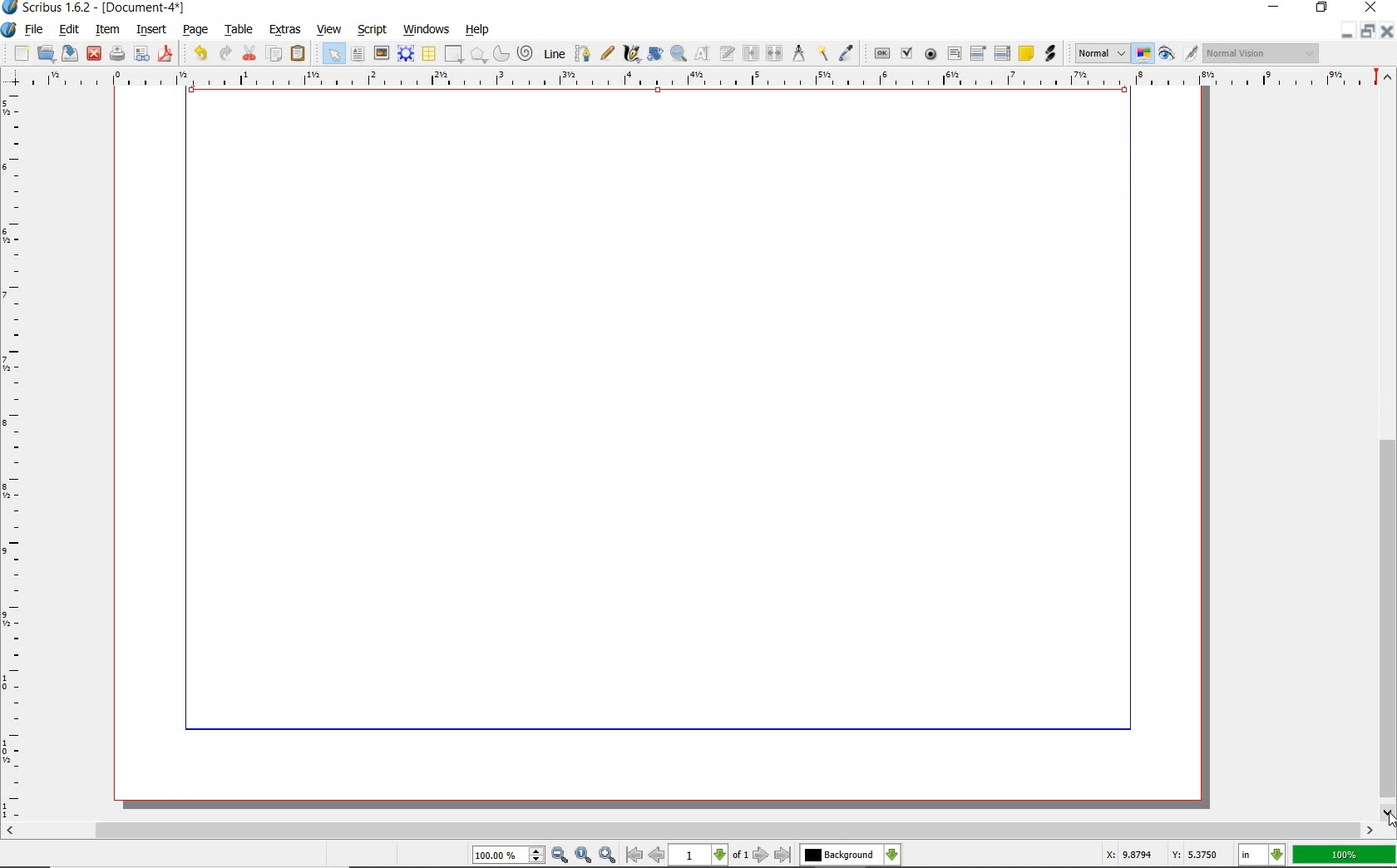  What do you see at coordinates (726, 54) in the screenshot?
I see `edit text with story editor` at bounding box center [726, 54].